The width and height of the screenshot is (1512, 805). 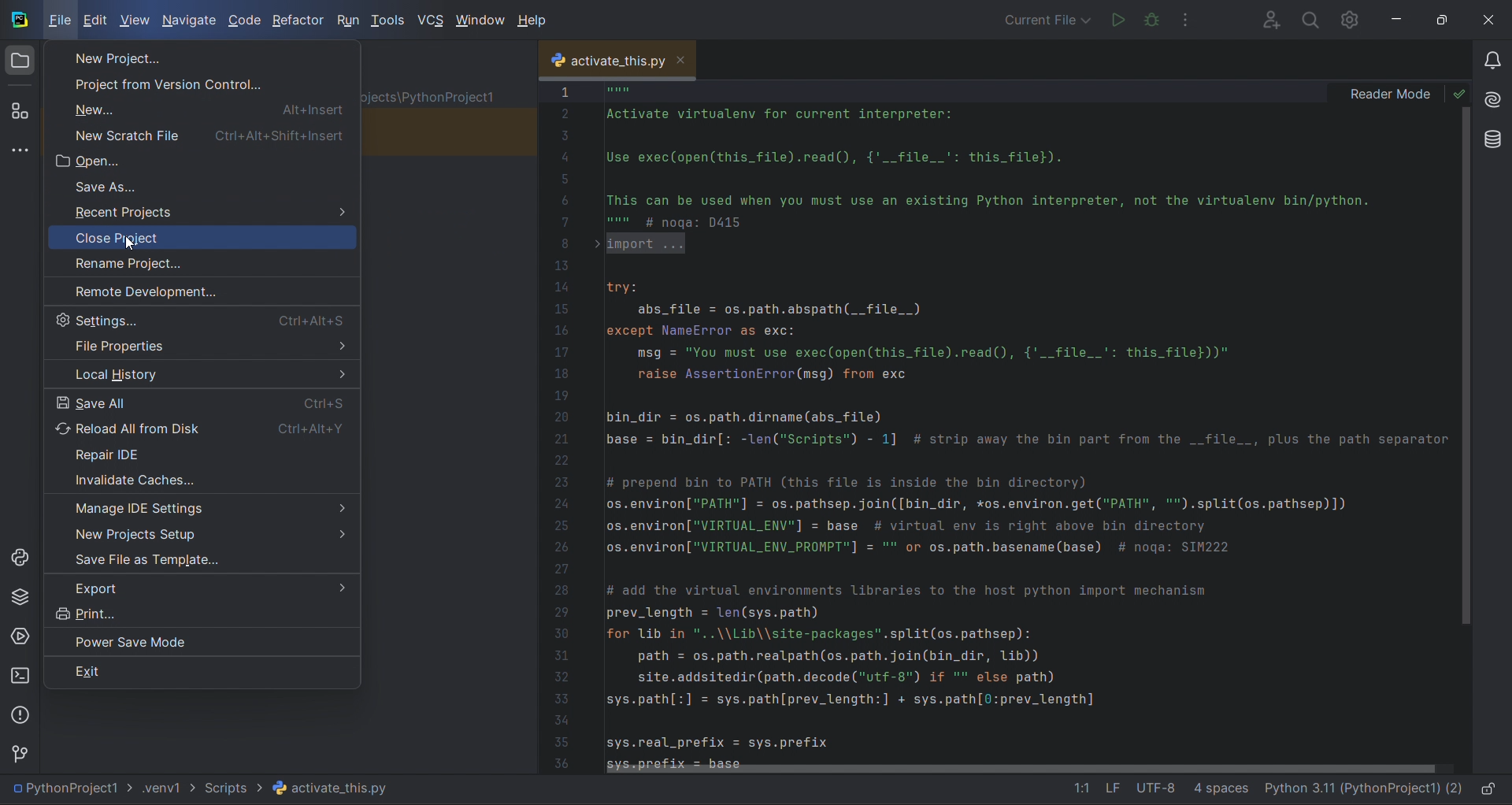 What do you see at coordinates (20, 150) in the screenshot?
I see `tool window` at bounding box center [20, 150].